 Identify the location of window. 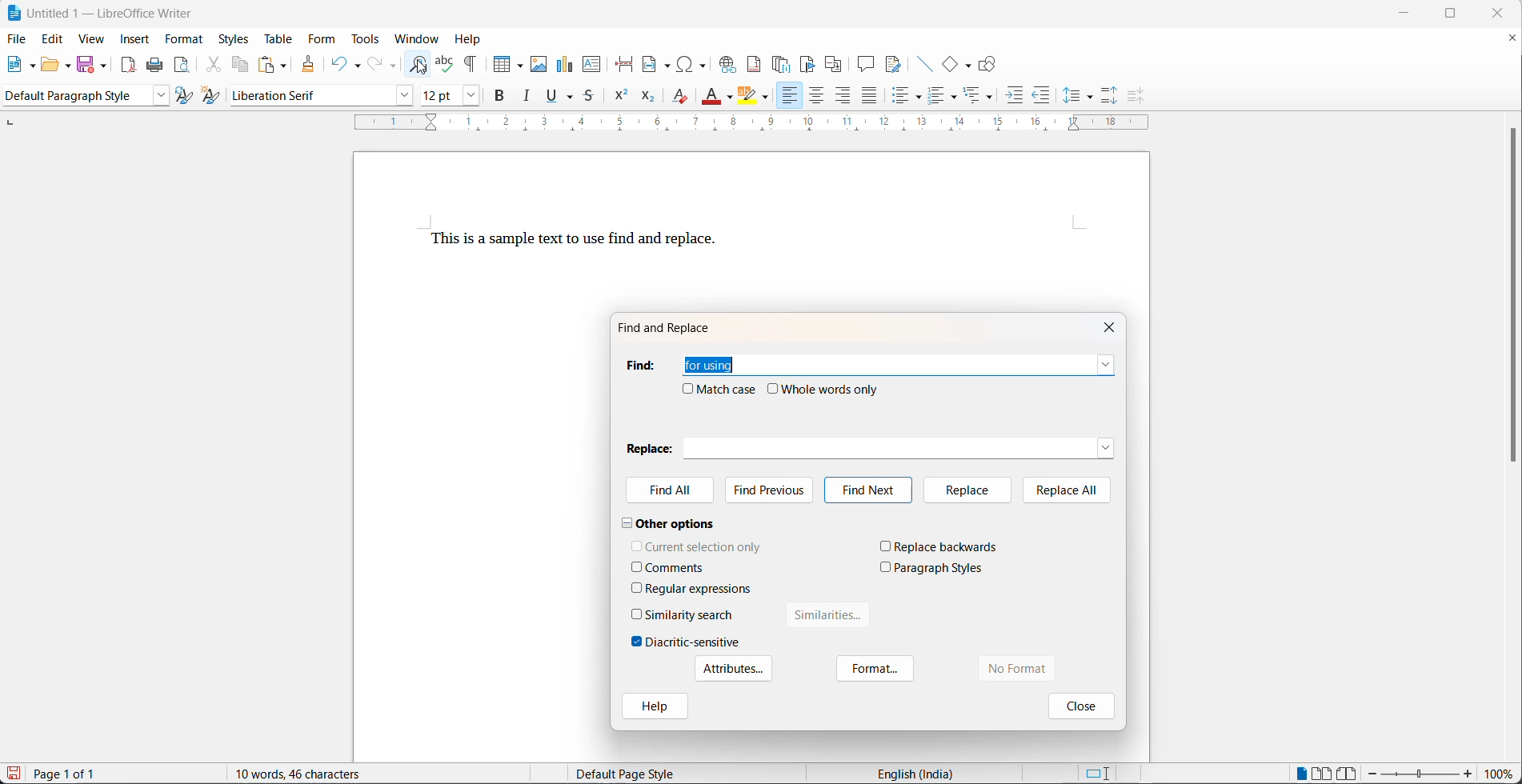
(419, 38).